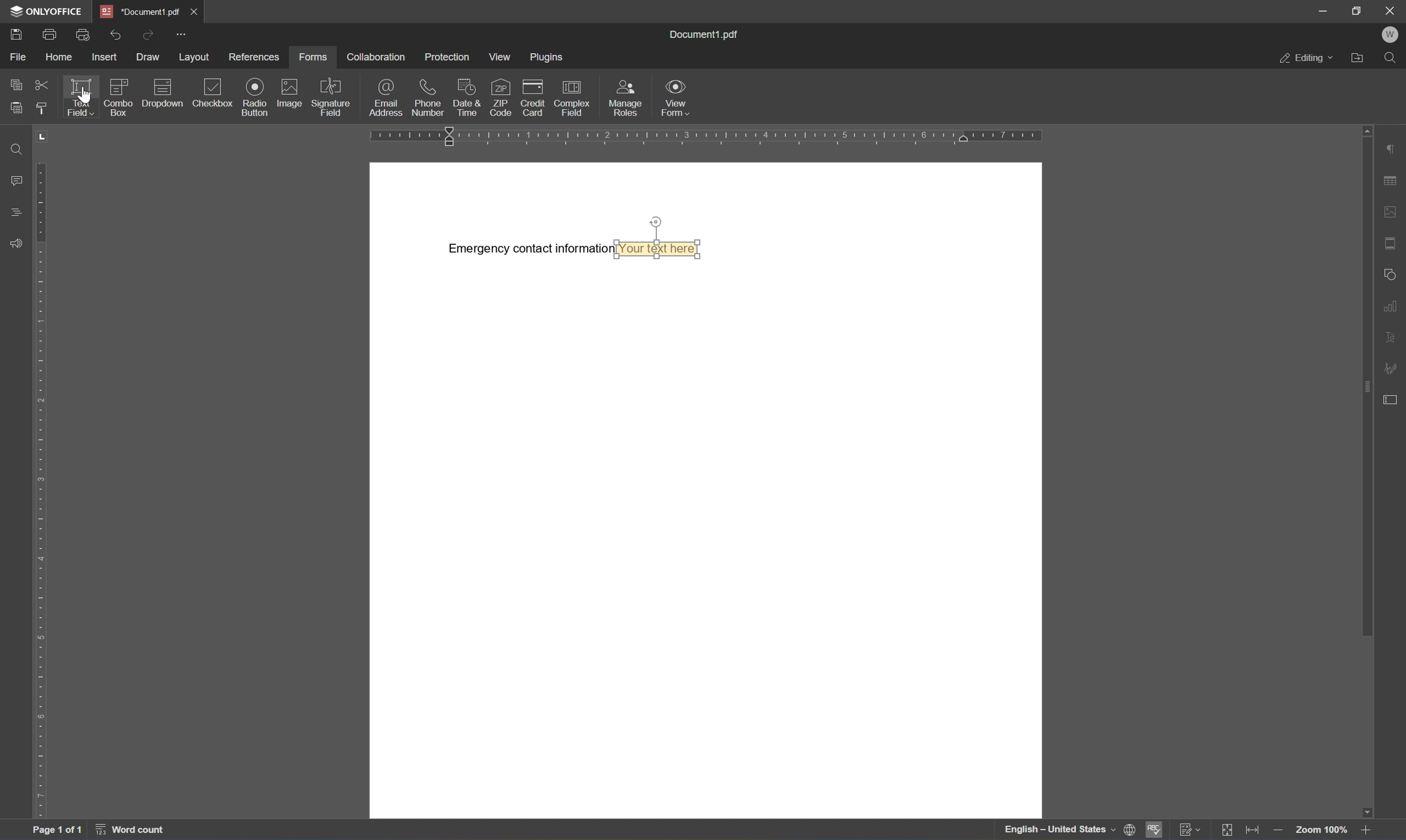 This screenshot has height=840, width=1406. Describe the element at coordinates (1130, 832) in the screenshot. I see `set document language` at that location.